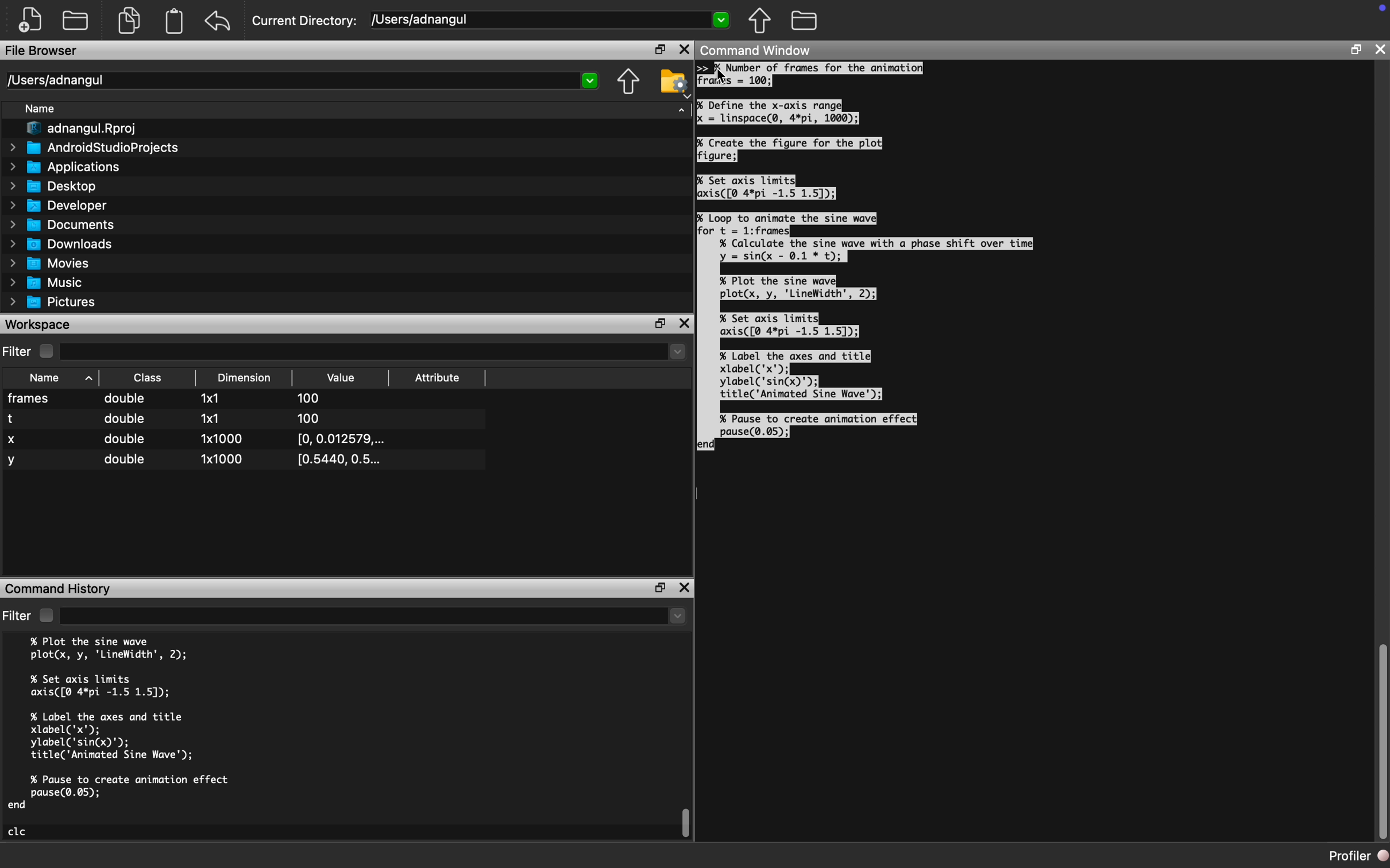 The width and height of the screenshot is (1390, 868). Describe the element at coordinates (686, 588) in the screenshot. I see `Close` at that location.